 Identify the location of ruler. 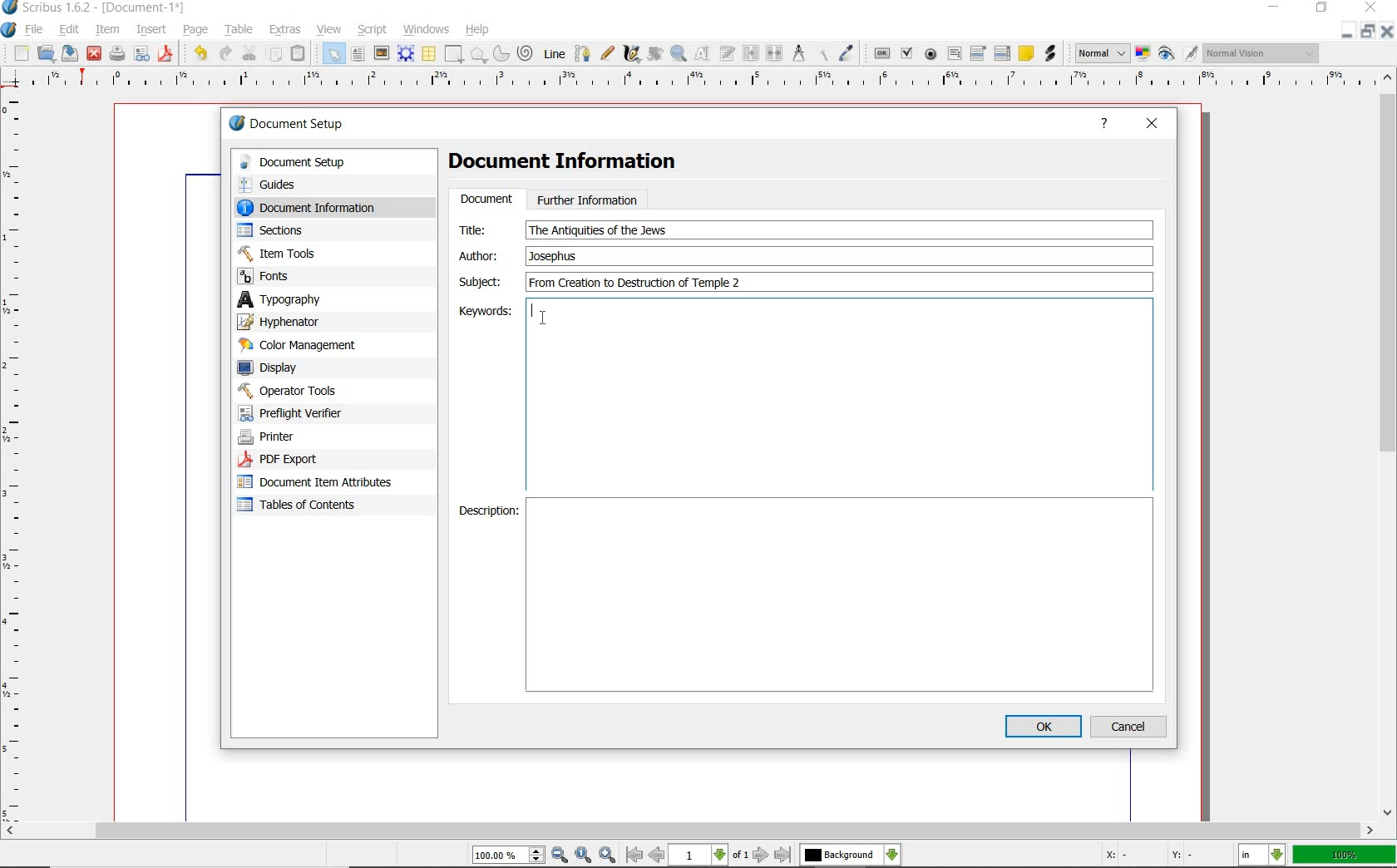
(17, 456).